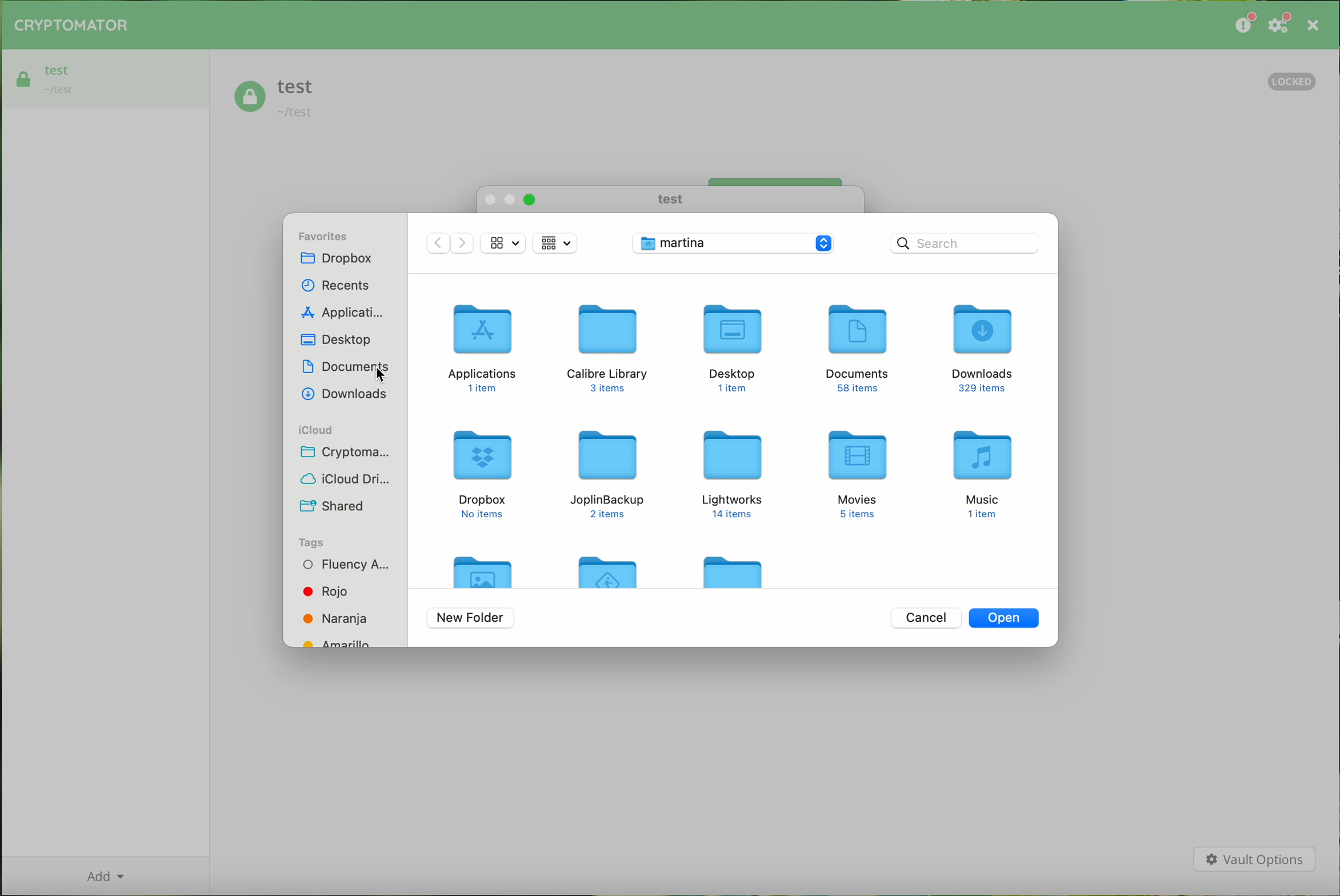  I want to click on recents, so click(336, 282).